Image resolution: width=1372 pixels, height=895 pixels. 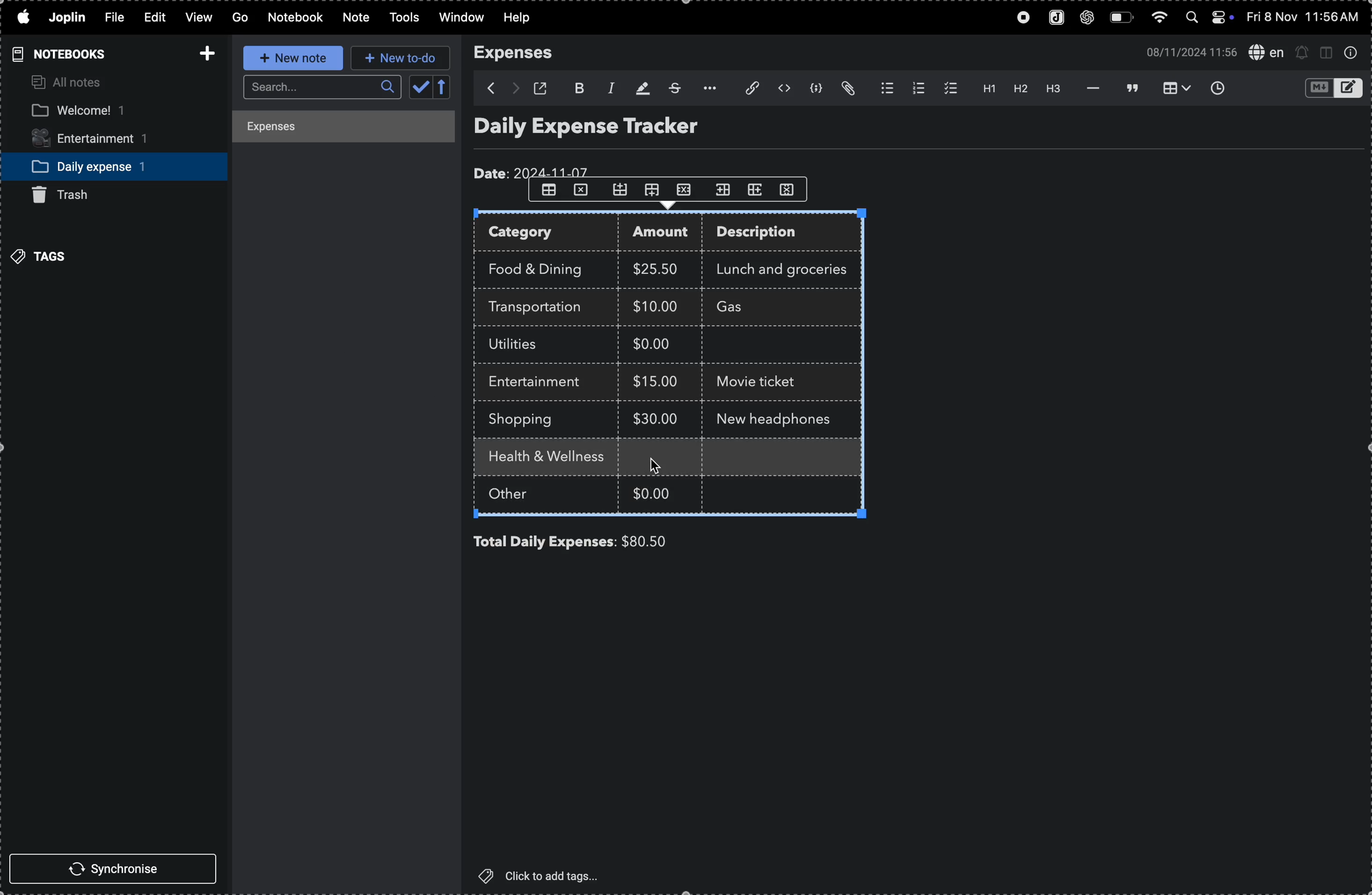 I want to click on utilites, so click(x=524, y=345).